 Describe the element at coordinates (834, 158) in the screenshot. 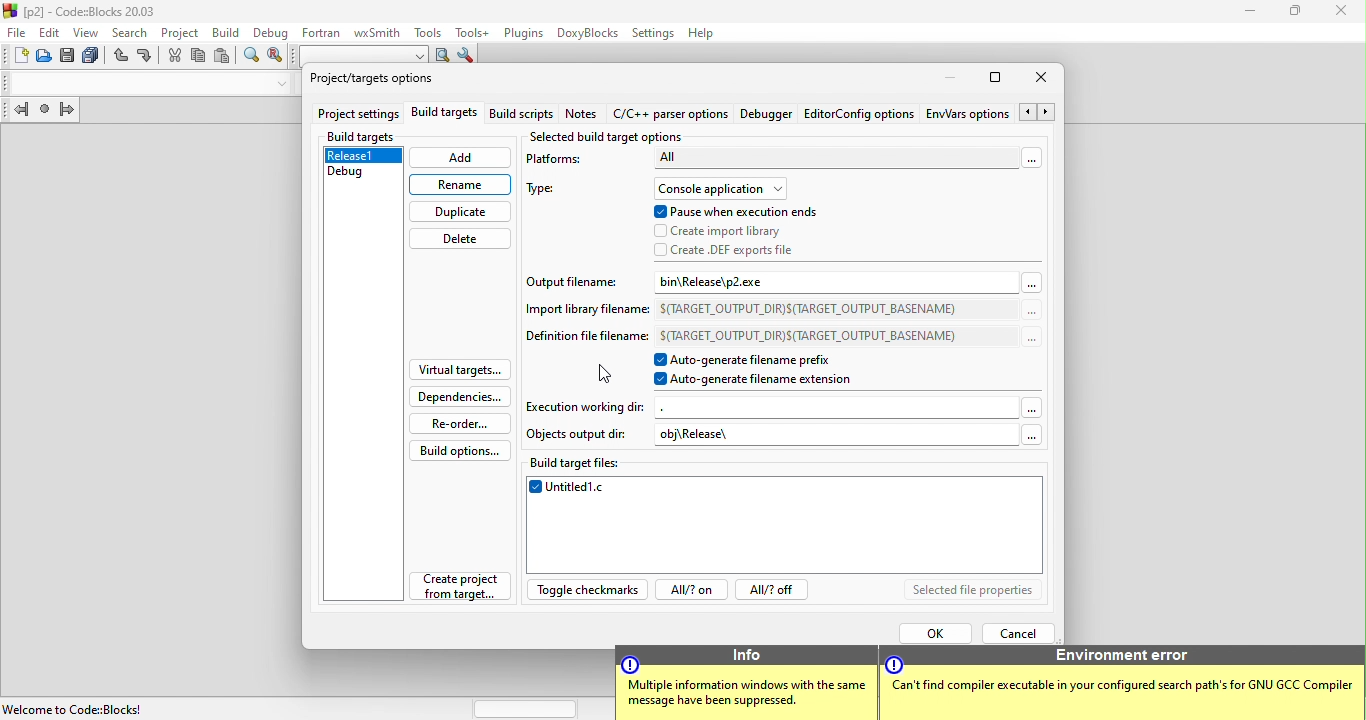

I see `ALL` at that location.